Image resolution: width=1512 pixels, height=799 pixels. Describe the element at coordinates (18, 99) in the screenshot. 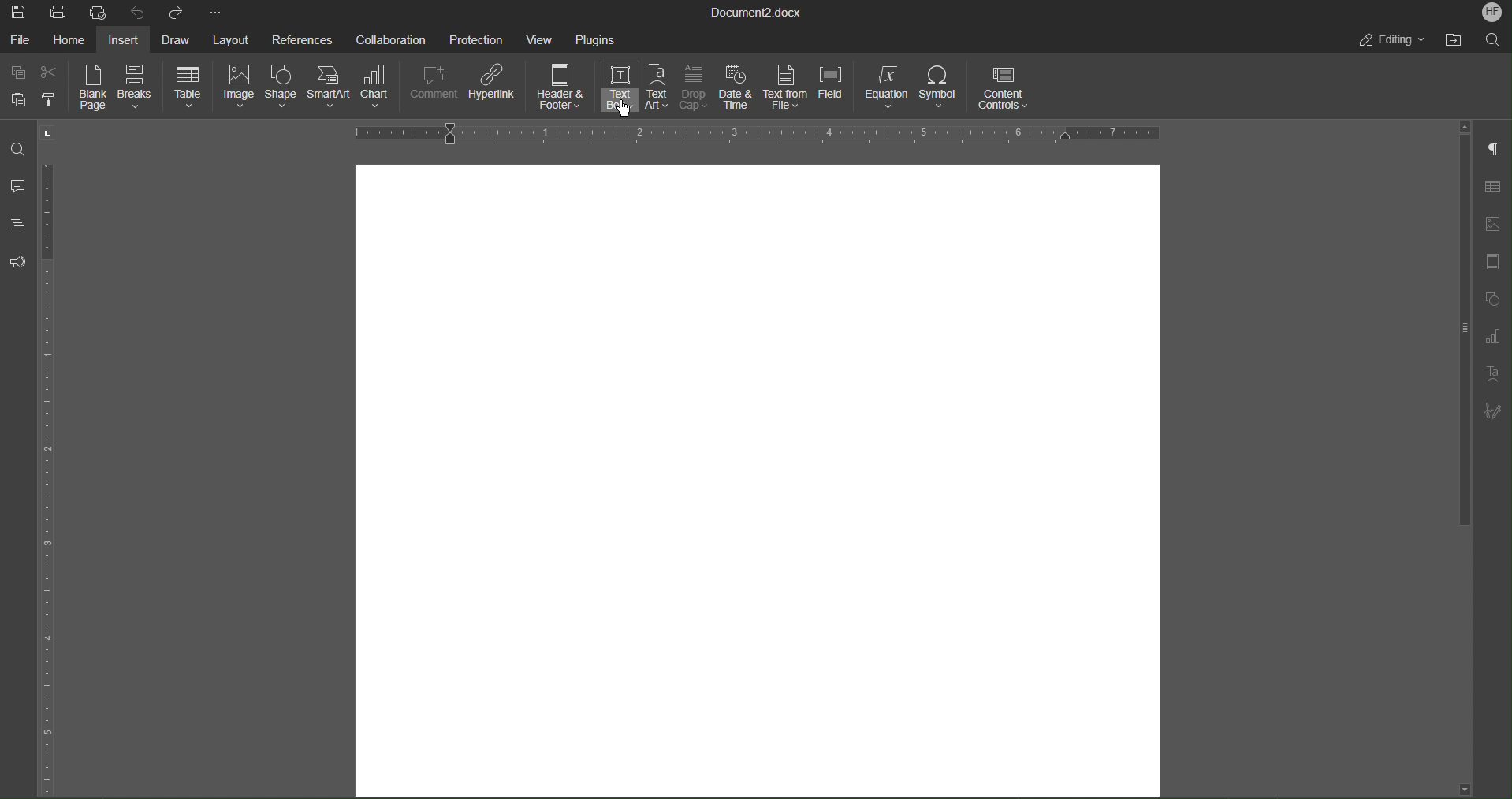

I see `Paste` at that location.